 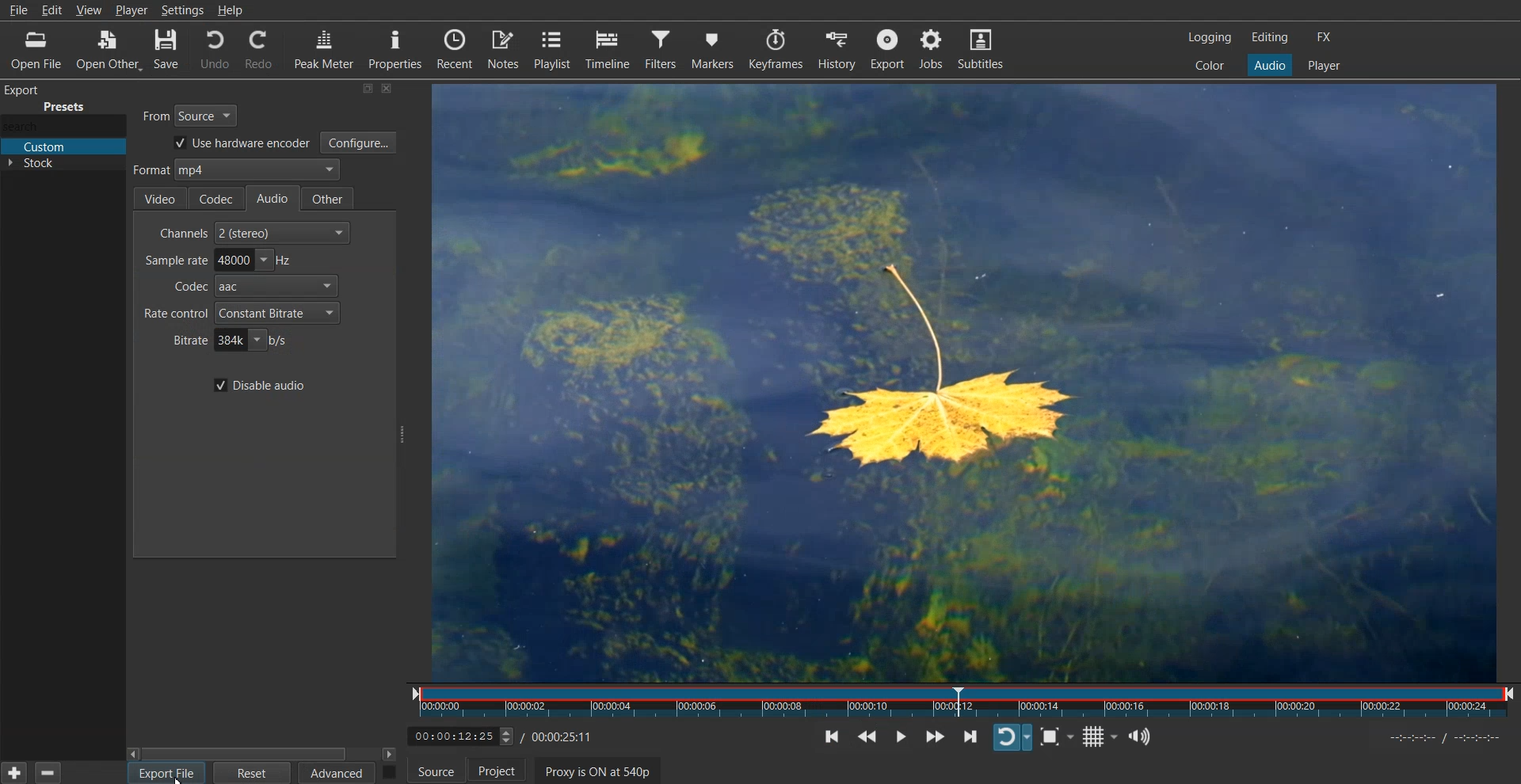 What do you see at coordinates (554, 49) in the screenshot?
I see `Playlist` at bounding box center [554, 49].